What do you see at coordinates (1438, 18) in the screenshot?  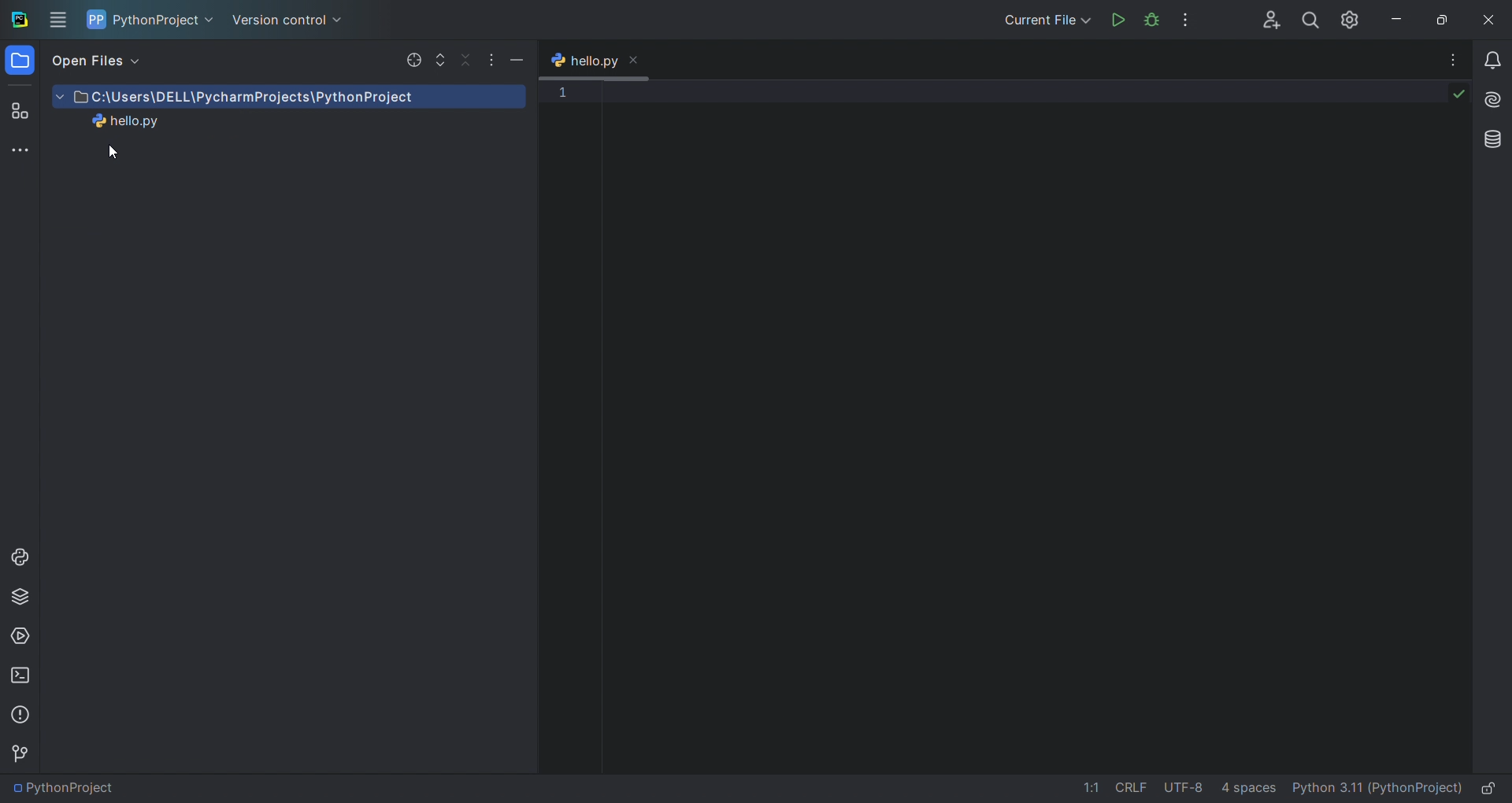 I see `maximize/restore` at bounding box center [1438, 18].